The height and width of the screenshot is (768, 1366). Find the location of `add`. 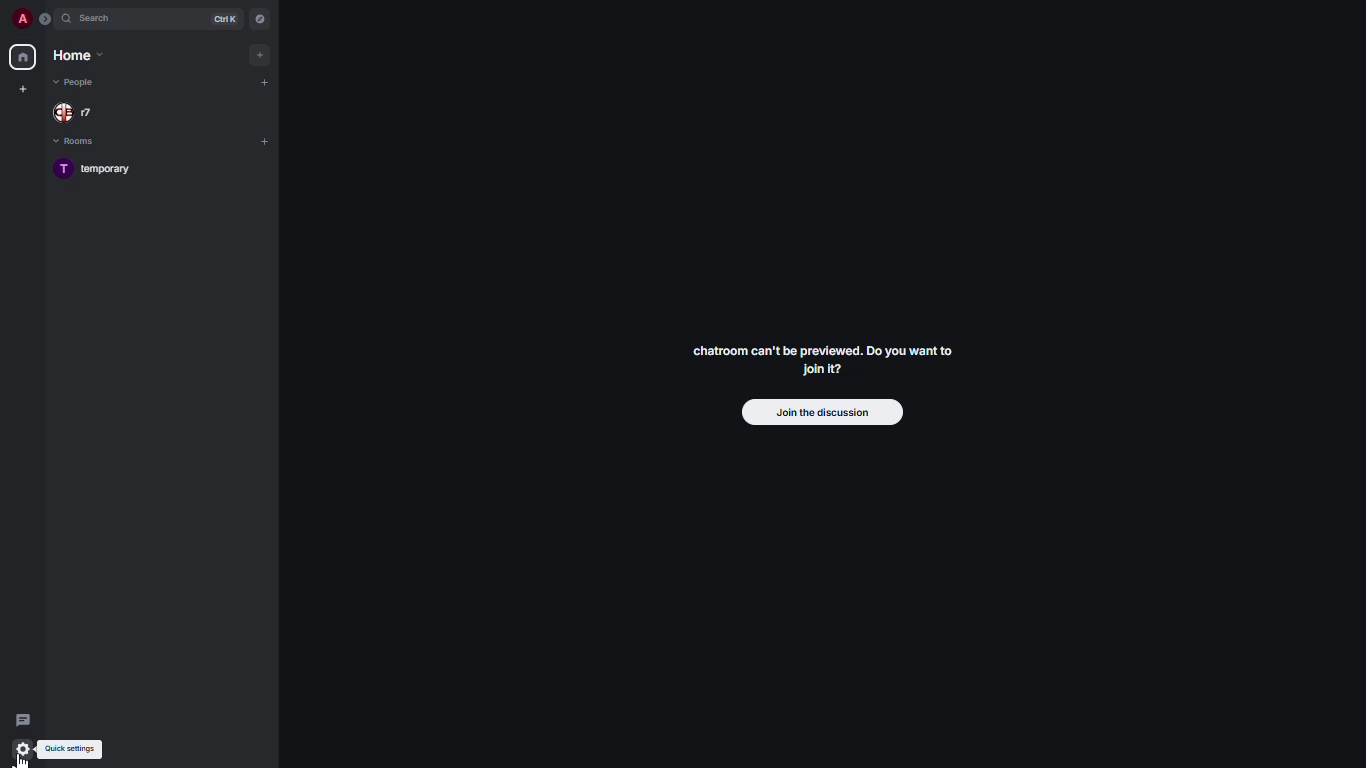

add is located at coordinates (266, 141).